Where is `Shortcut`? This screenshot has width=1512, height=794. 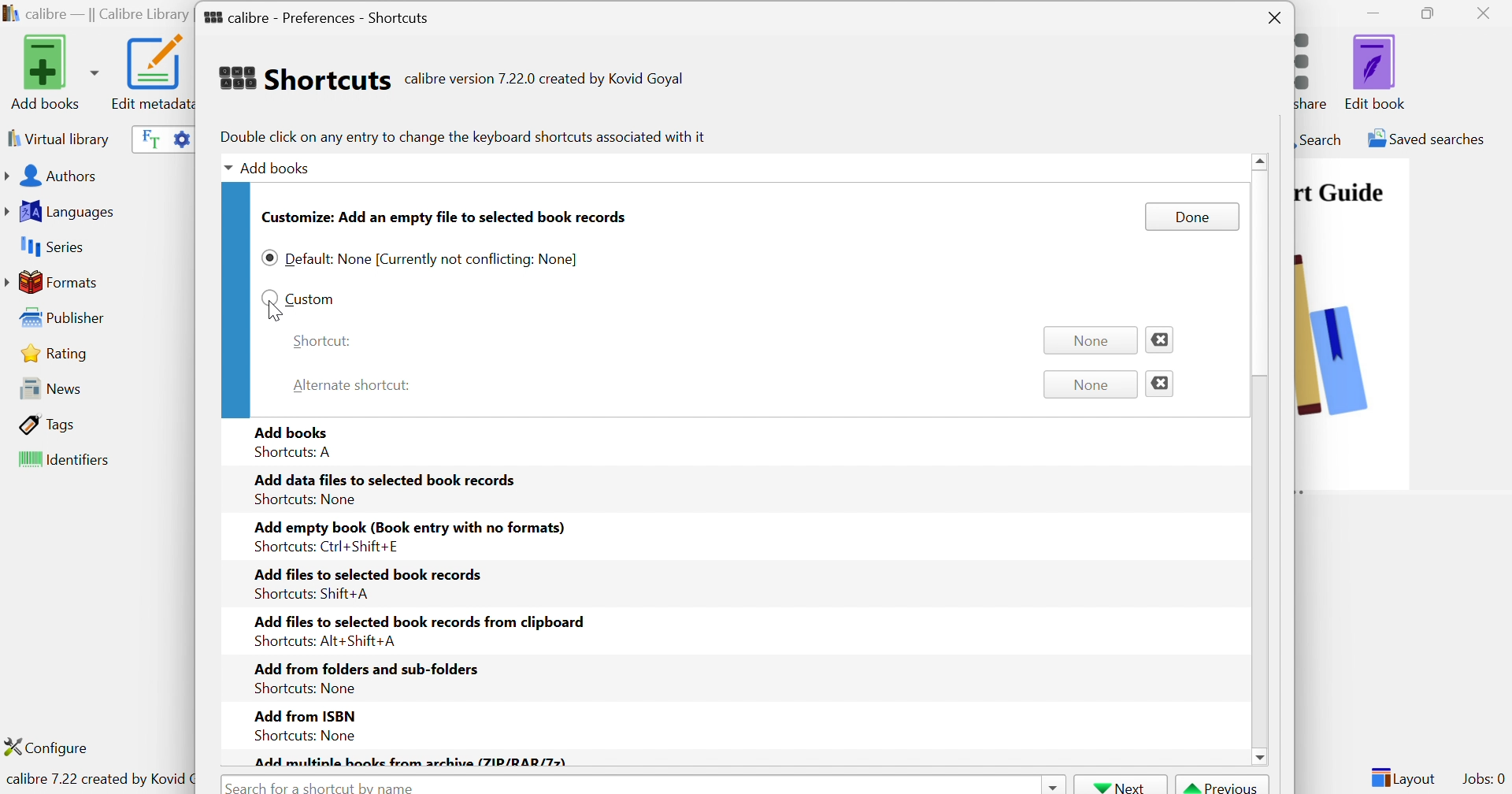 Shortcut is located at coordinates (321, 341).